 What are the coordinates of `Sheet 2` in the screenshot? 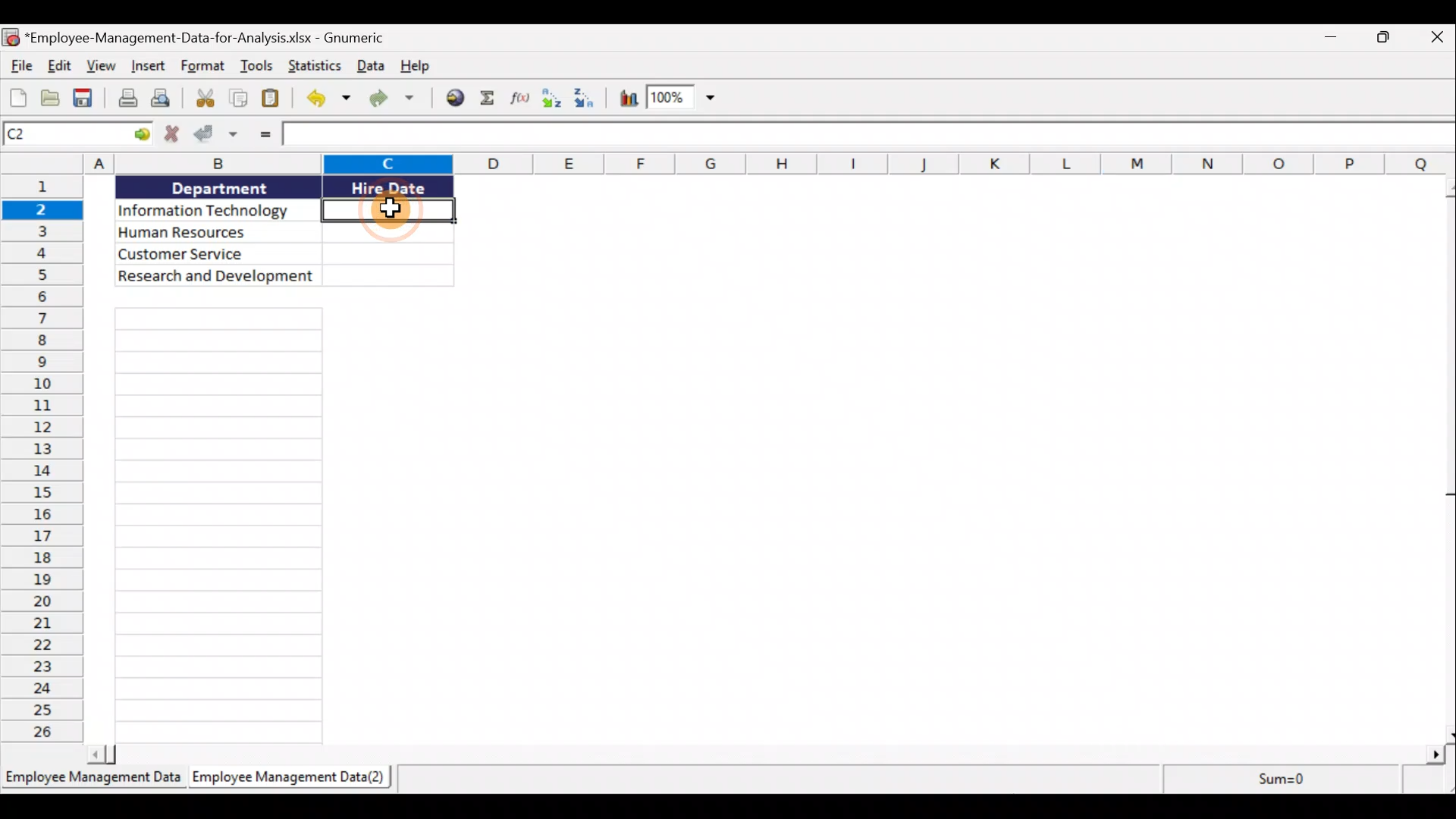 It's located at (297, 782).